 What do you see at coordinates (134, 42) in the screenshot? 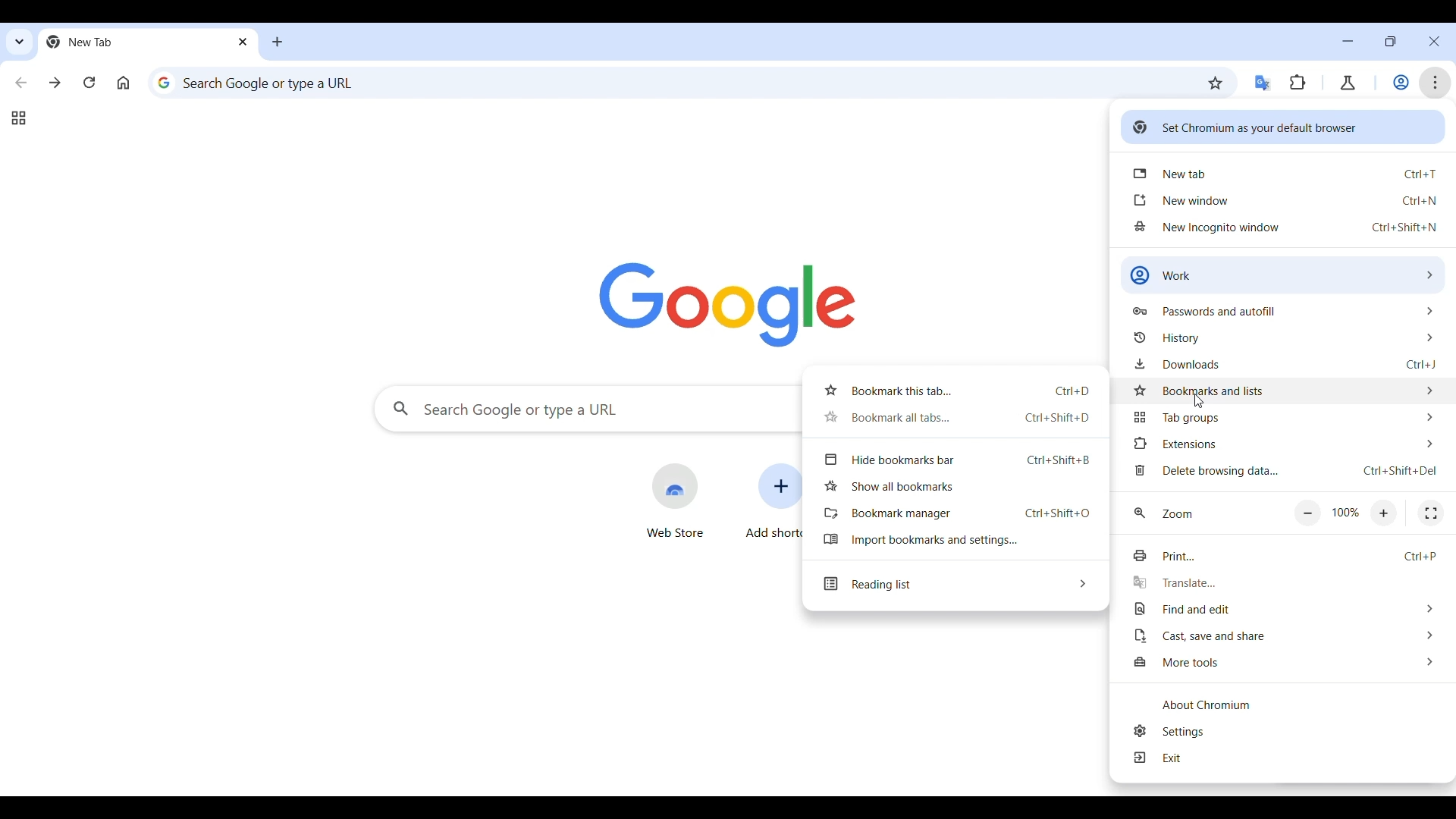
I see `Current tab` at bounding box center [134, 42].